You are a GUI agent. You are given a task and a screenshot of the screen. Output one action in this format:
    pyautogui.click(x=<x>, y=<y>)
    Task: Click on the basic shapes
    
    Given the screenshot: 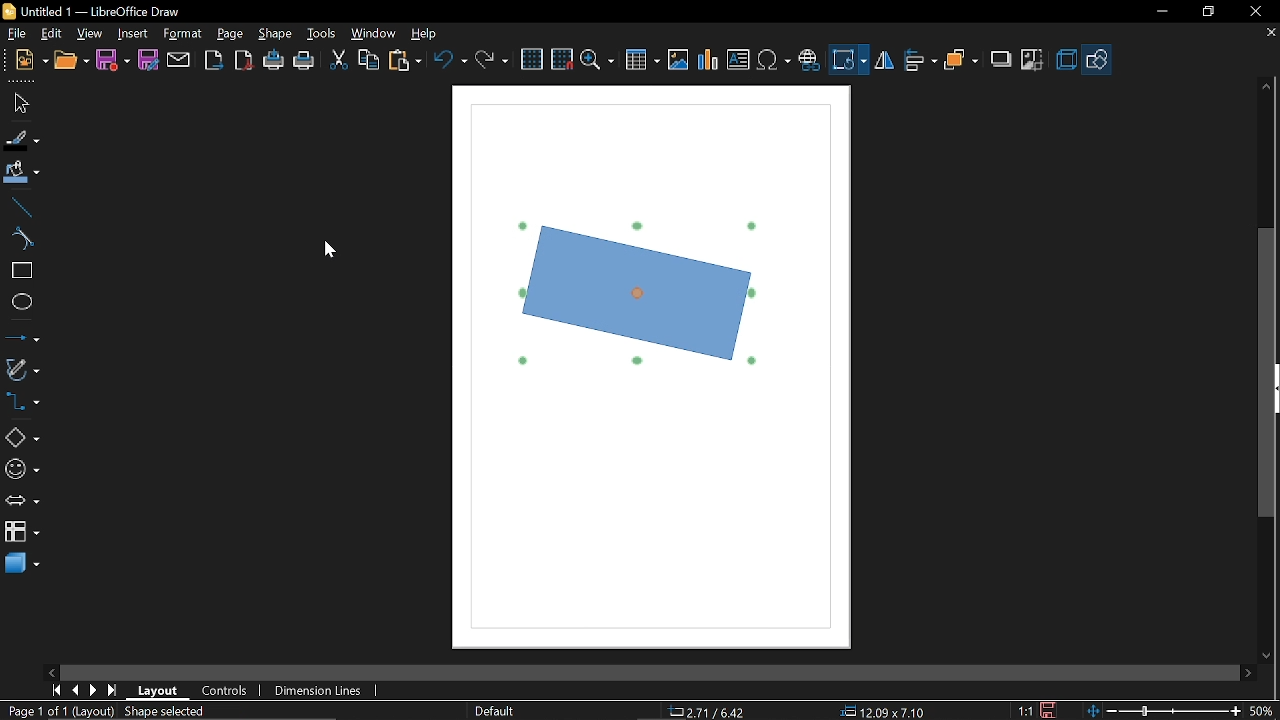 What is the action you would take?
    pyautogui.click(x=22, y=438)
    